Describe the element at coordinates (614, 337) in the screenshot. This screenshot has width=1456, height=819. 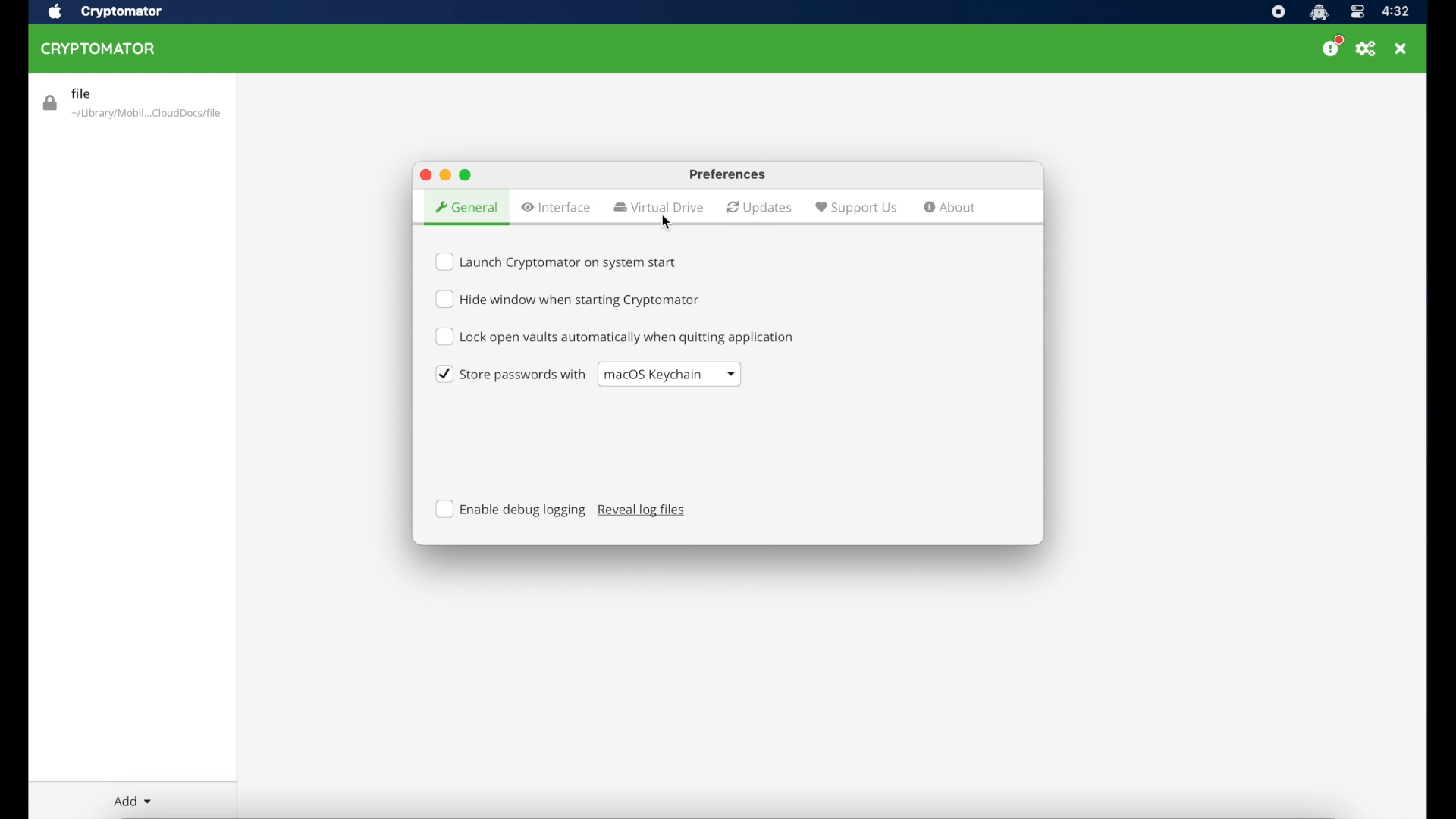
I see `checkbox` at that location.